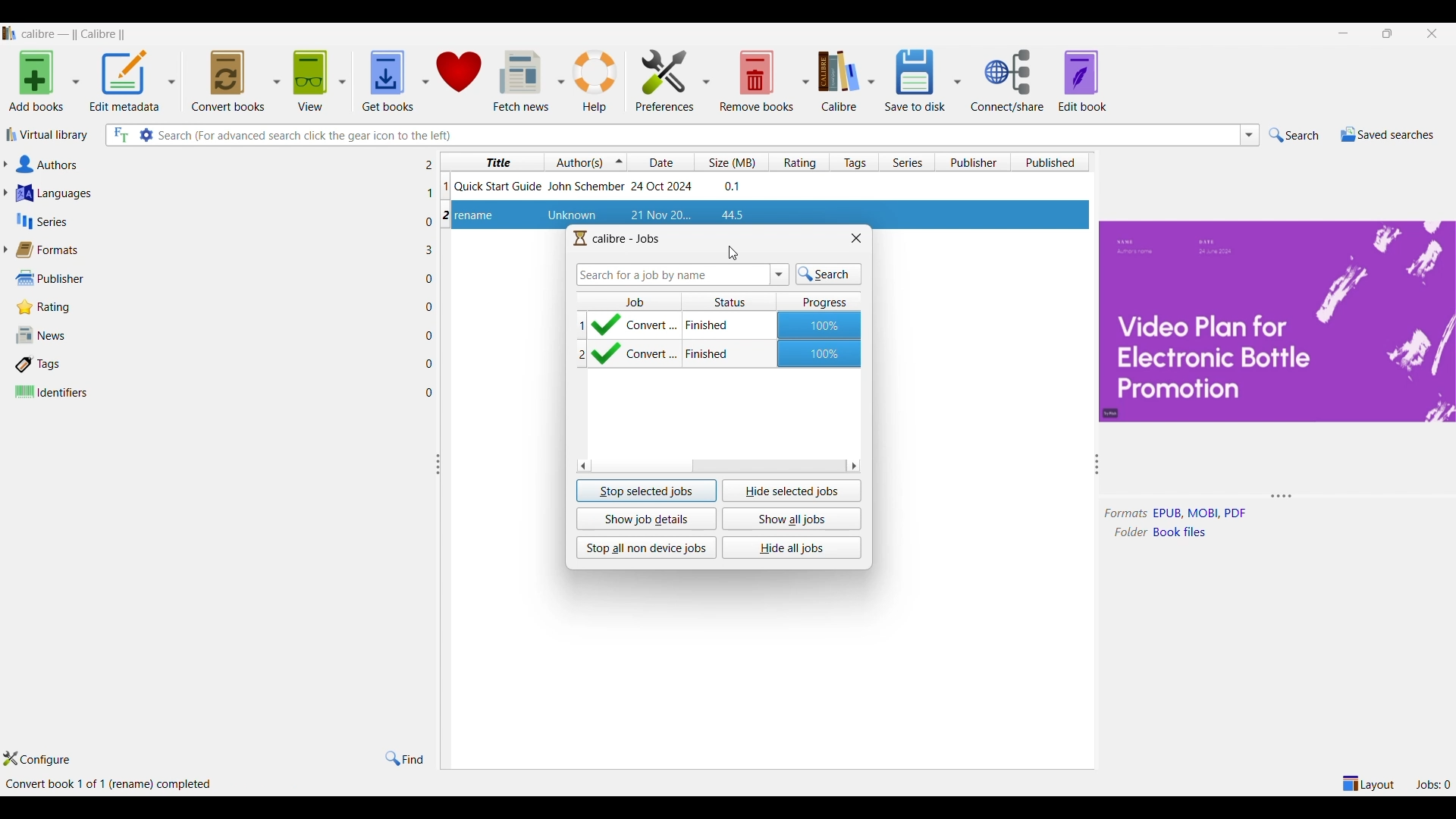 The image size is (1456, 819). I want to click on Publisher column, so click(972, 162).